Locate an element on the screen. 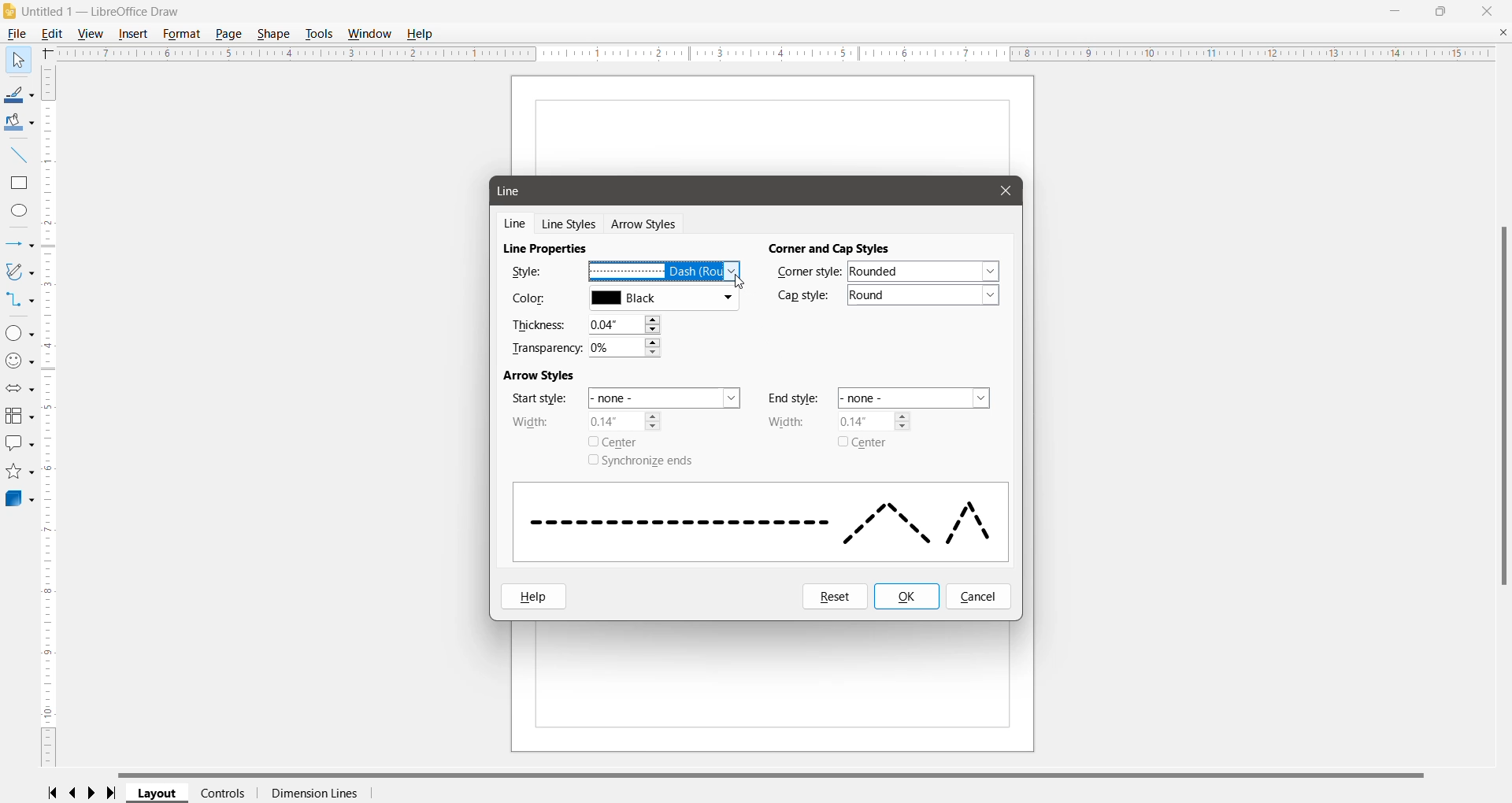 This screenshot has width=1512, height=803. Corner Style is located at coordinates (806, 272).